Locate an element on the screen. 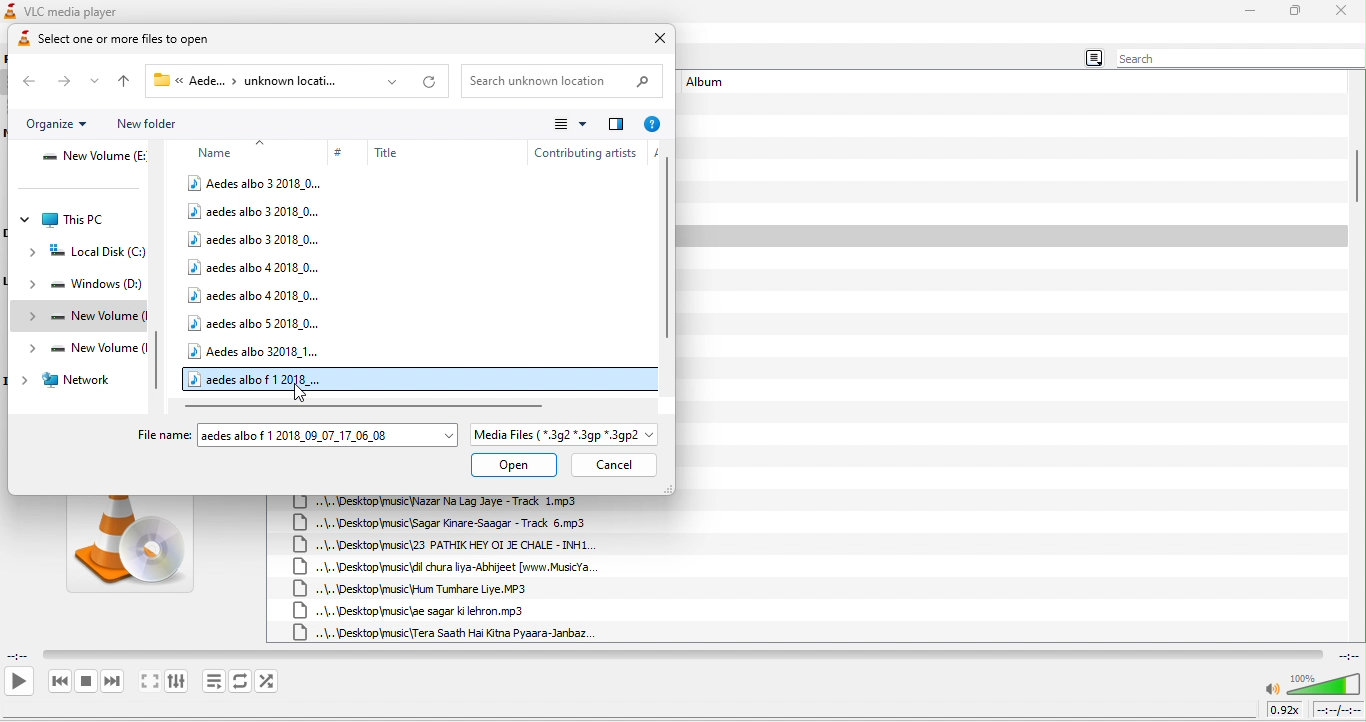 Image resolution: width=1366 pixels, height=722 pixels. toggle the video in  fullscreen is located at coordinates (149, 683).